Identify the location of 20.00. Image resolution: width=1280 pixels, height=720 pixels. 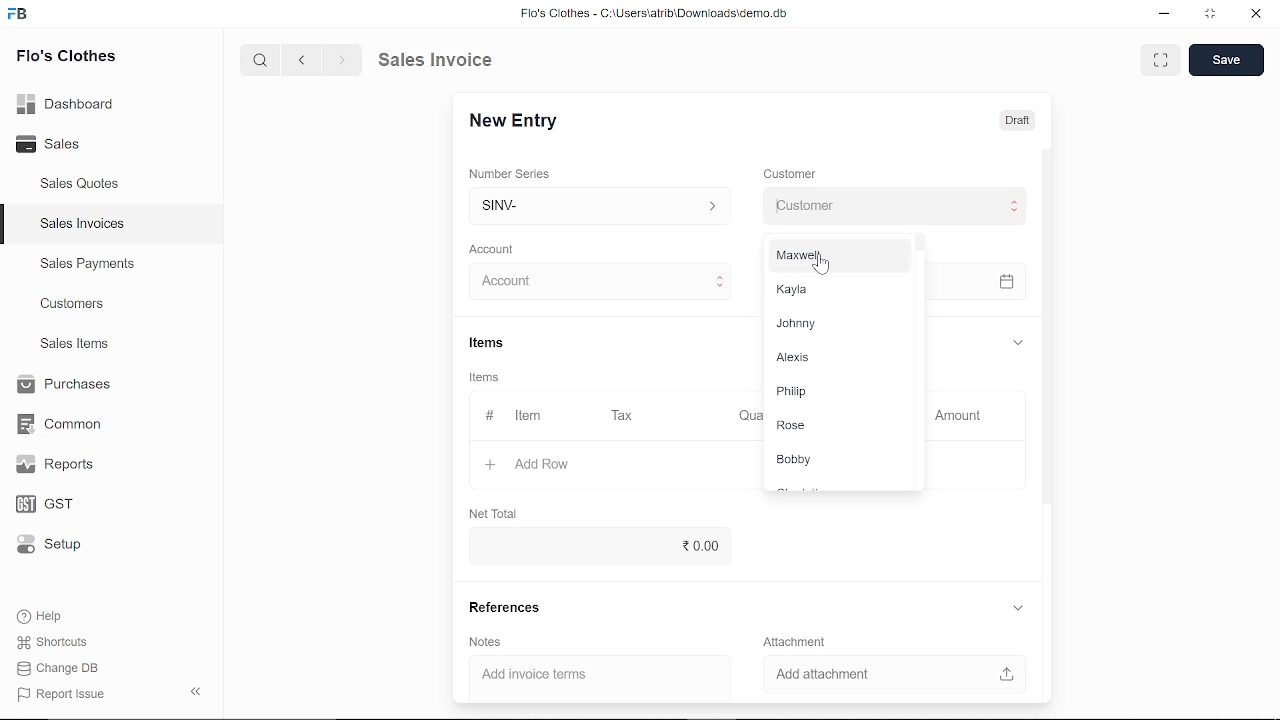
(639, 547).